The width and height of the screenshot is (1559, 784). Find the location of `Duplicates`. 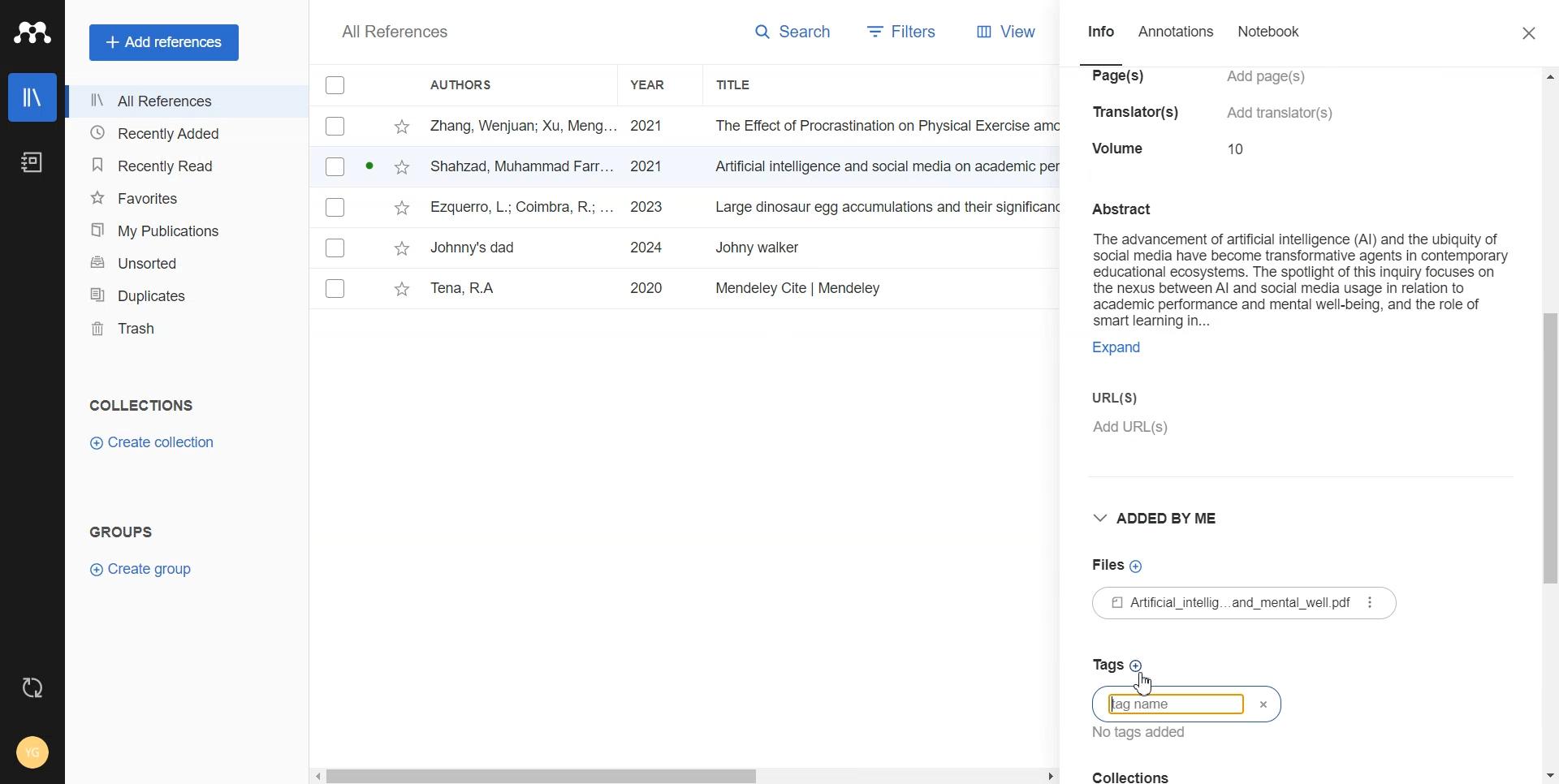

Duplicates is located at coordinates (184, 294).